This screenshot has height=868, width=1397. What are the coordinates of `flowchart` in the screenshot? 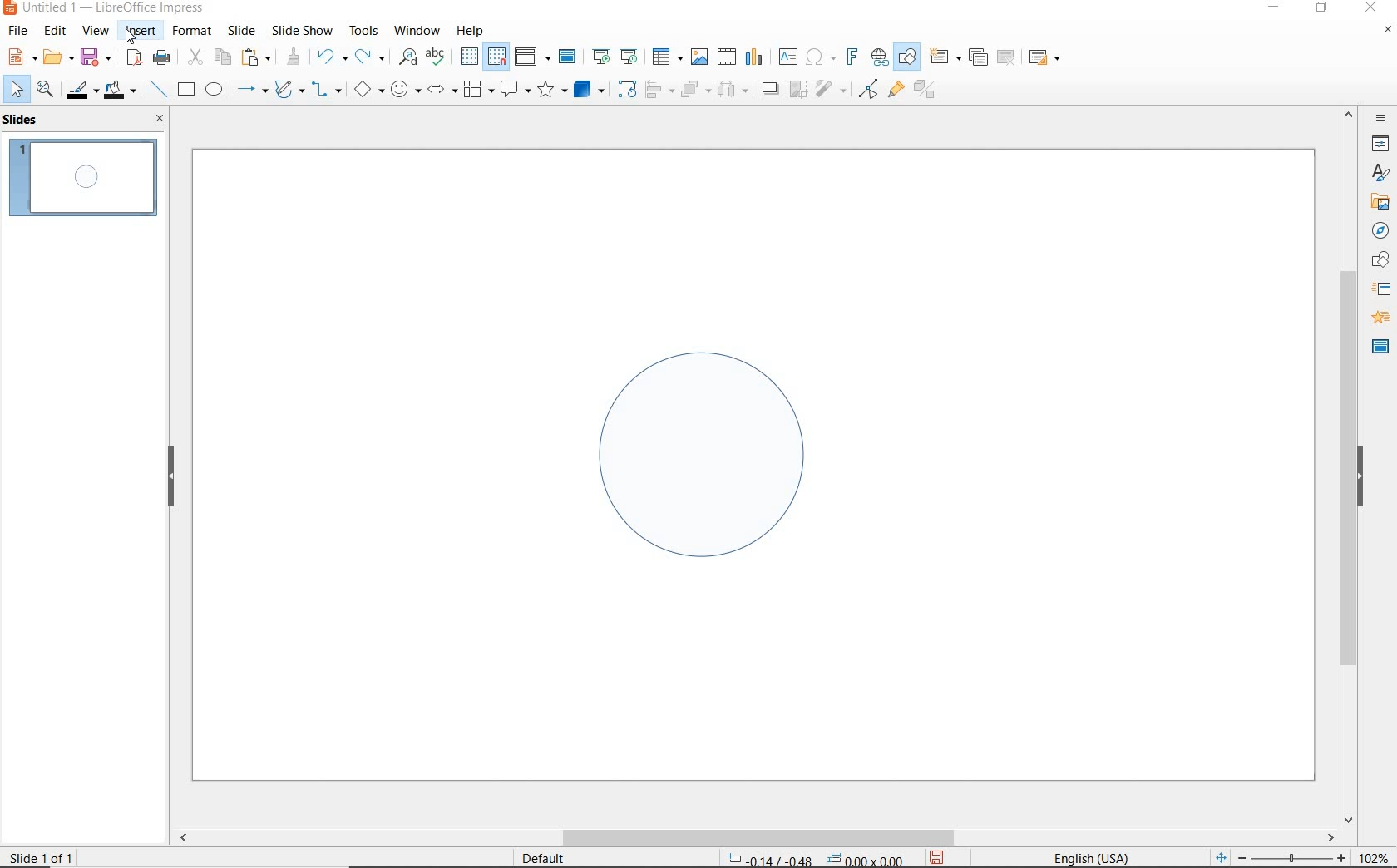 It's located at (477, 91).